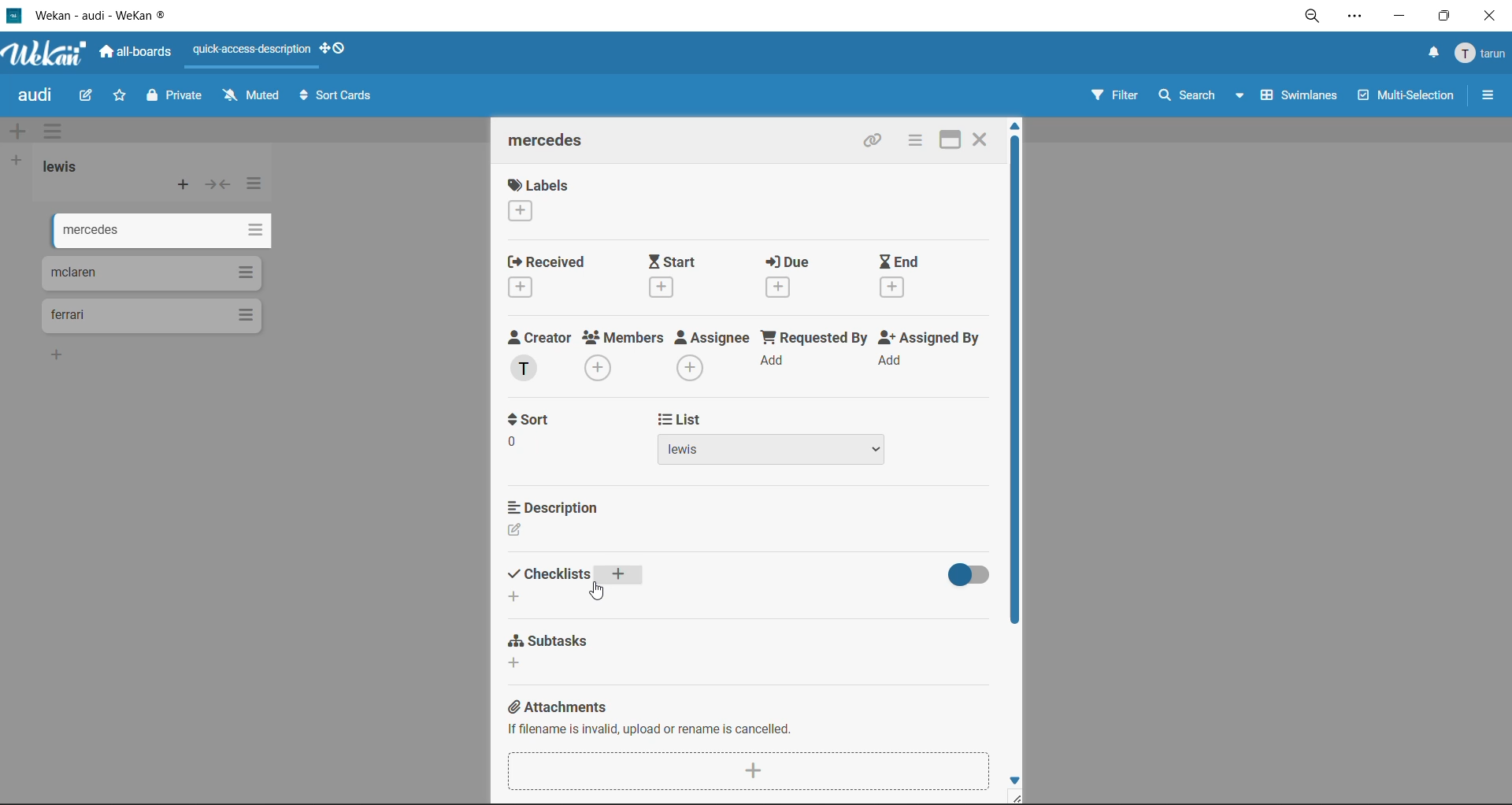  Describe the element at coordinates (598, 589) in the screenshot. I see `cursor` at that location.